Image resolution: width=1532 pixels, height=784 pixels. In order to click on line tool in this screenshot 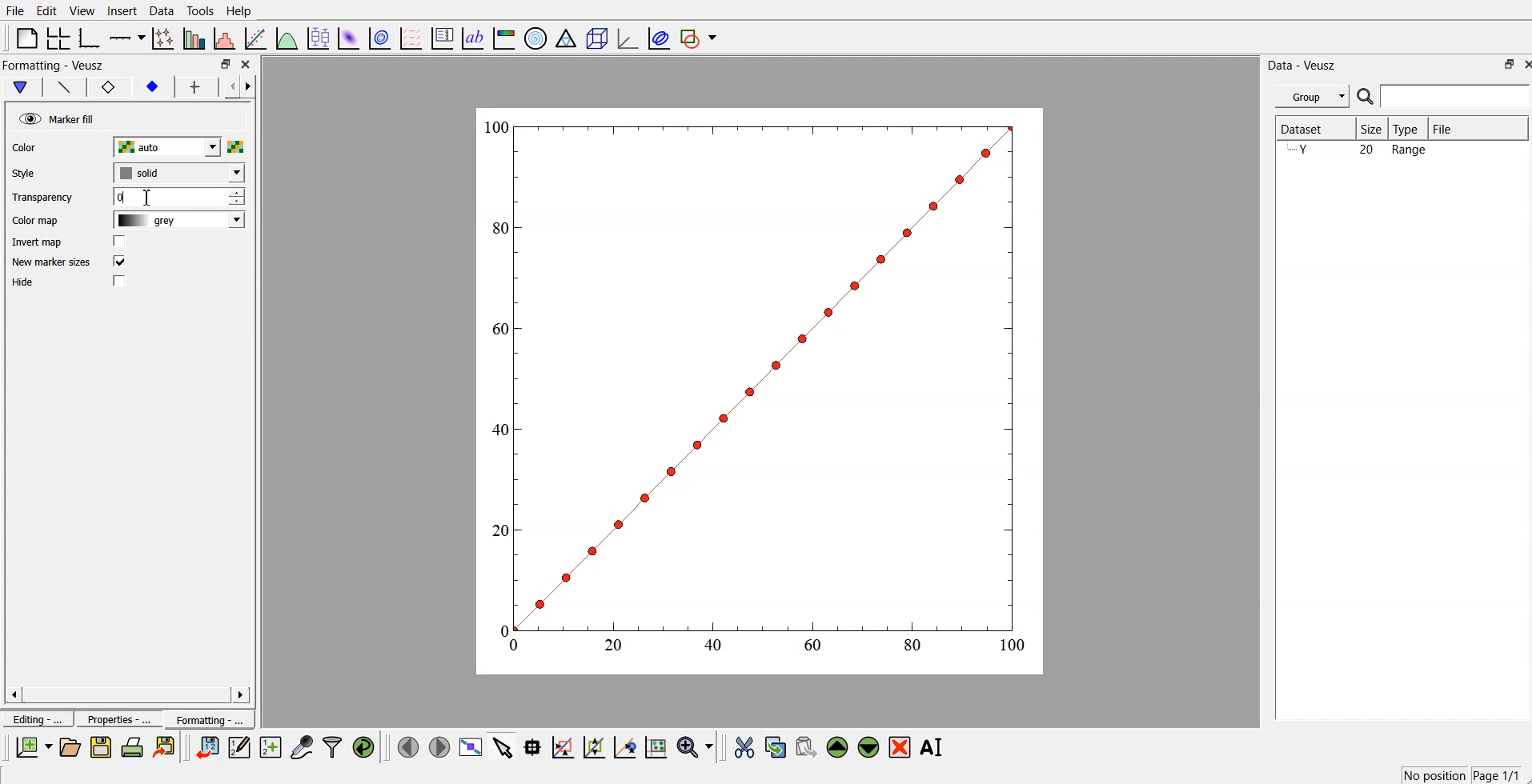, I will do `click(60, 86)`.